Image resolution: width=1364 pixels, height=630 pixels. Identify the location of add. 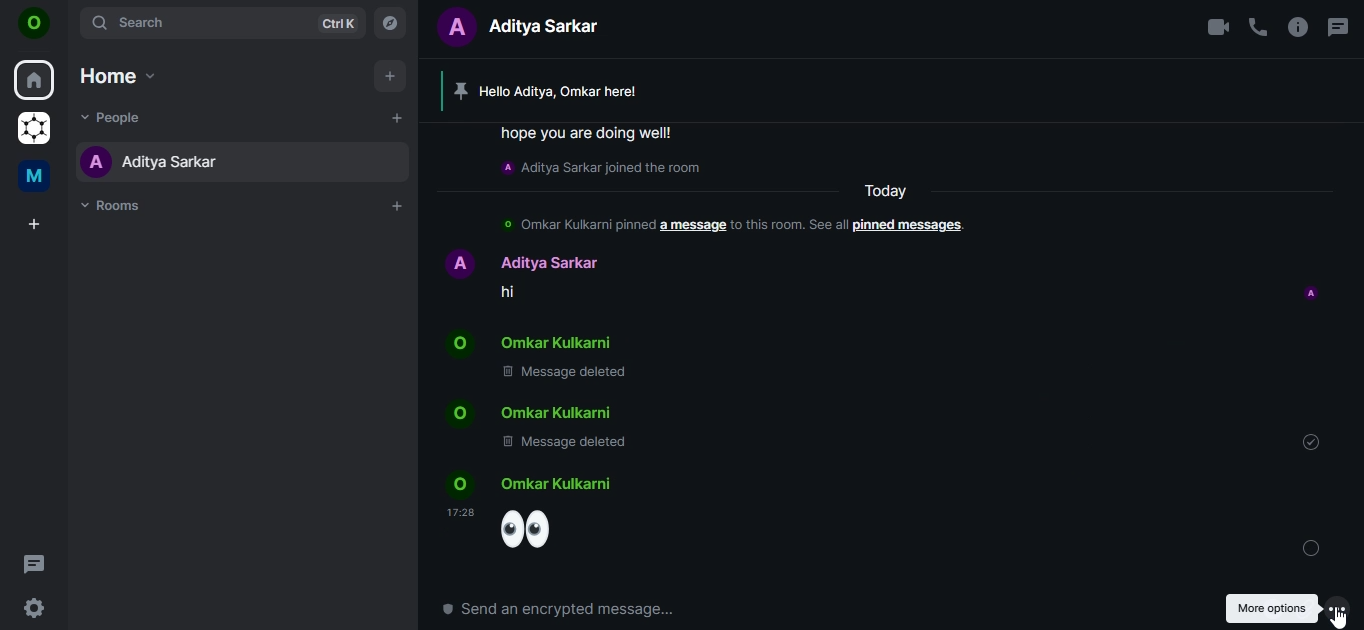
(390, 77).